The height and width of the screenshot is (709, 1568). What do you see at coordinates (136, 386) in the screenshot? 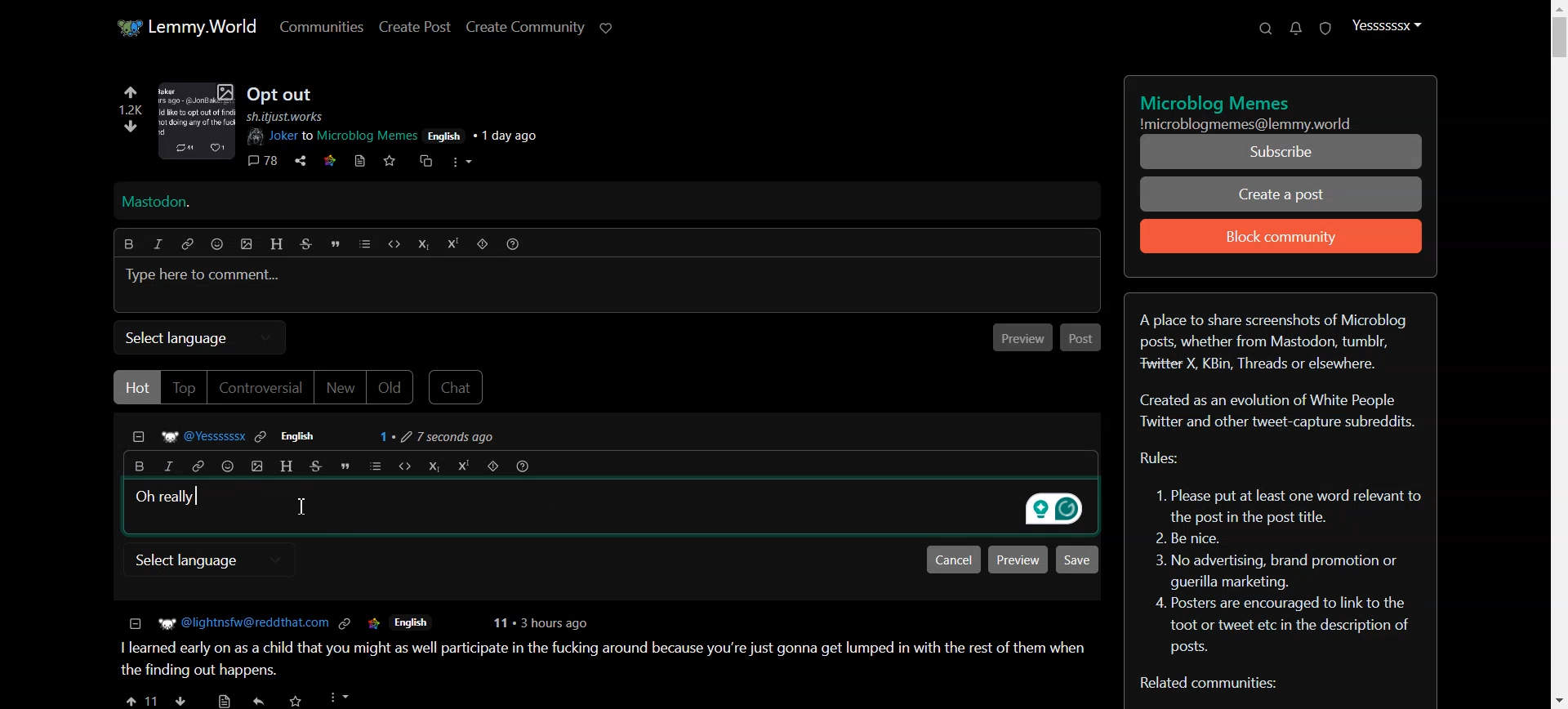
I see `Hot` at bounding box center [136, 386].